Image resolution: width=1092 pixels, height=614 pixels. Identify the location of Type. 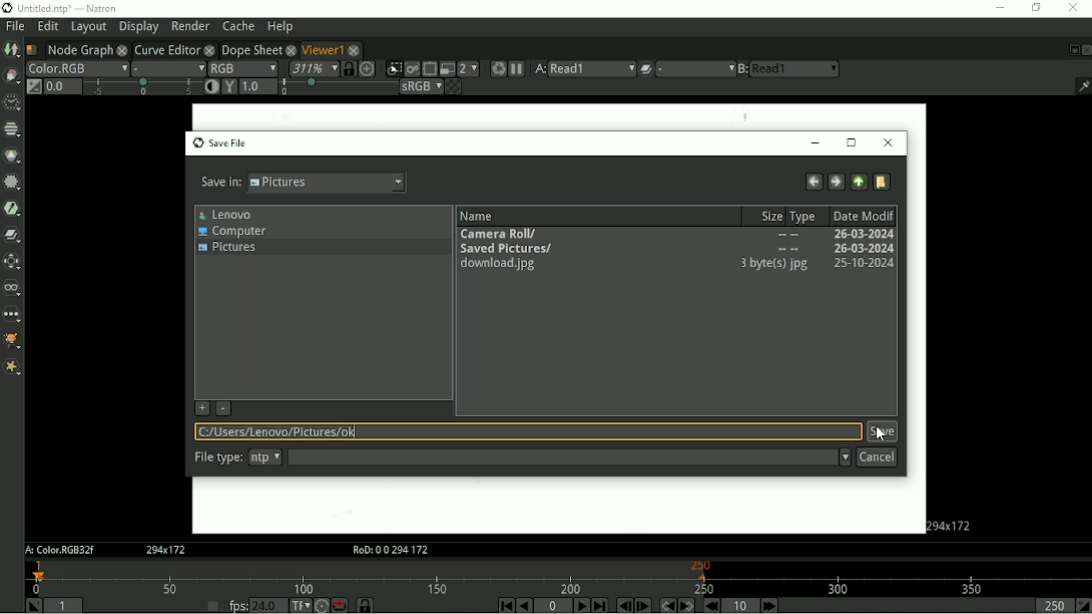
(804, 214).